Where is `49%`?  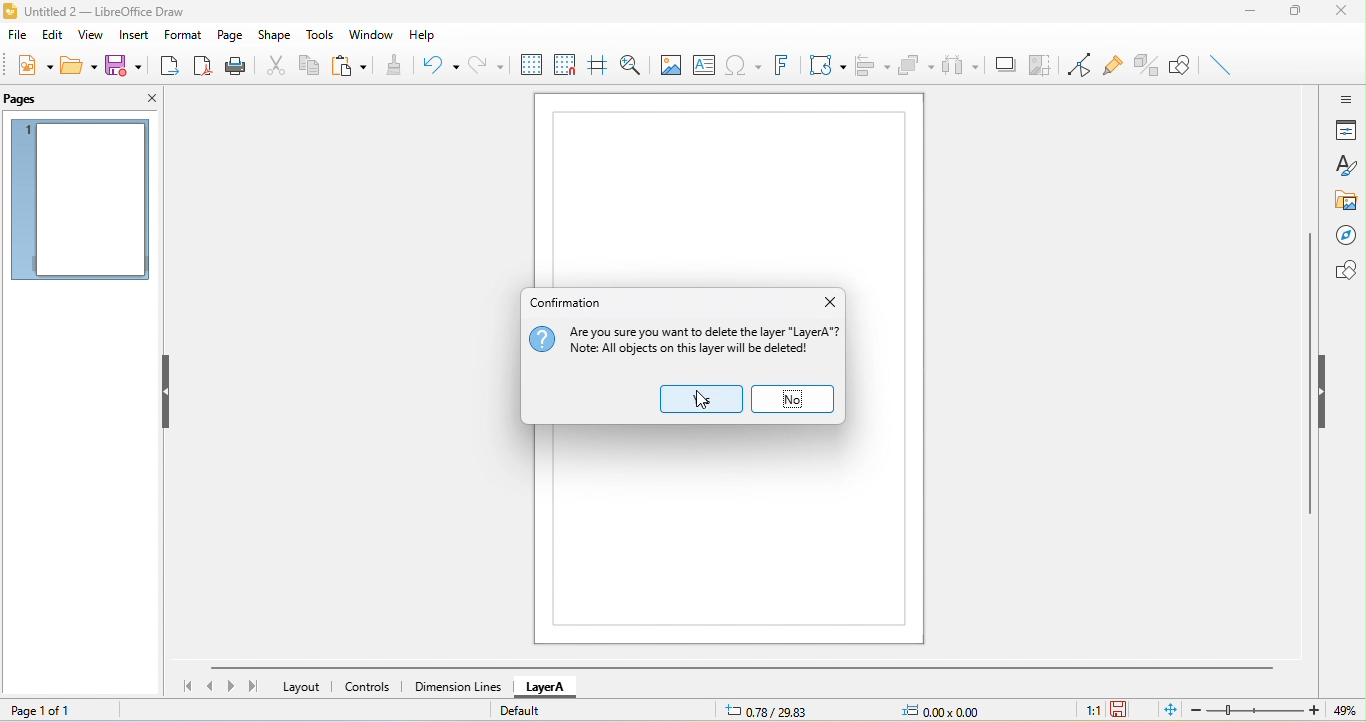 49% is located at coordinates (1348, 709).